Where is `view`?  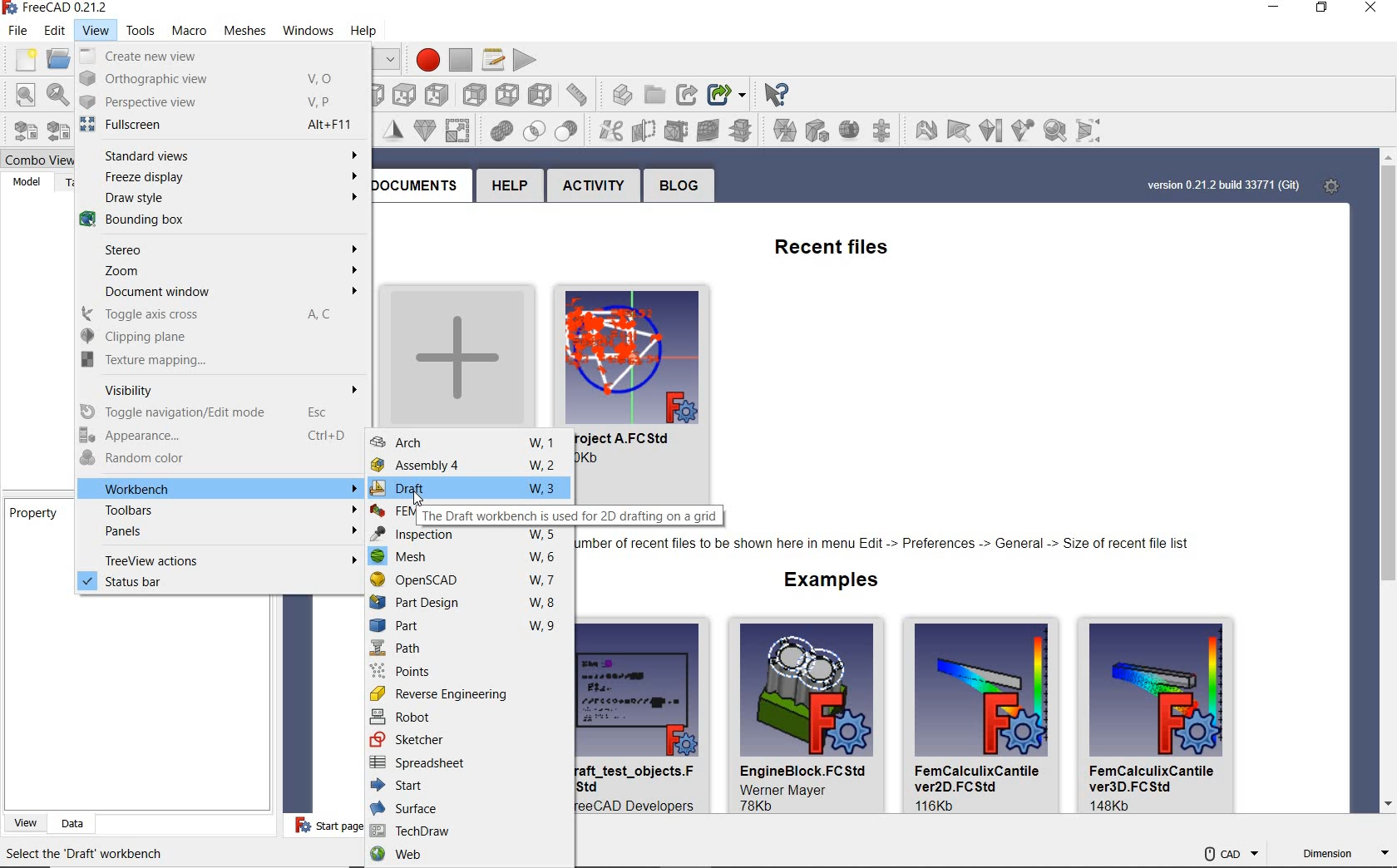
view is located at coordinates (91, 29).